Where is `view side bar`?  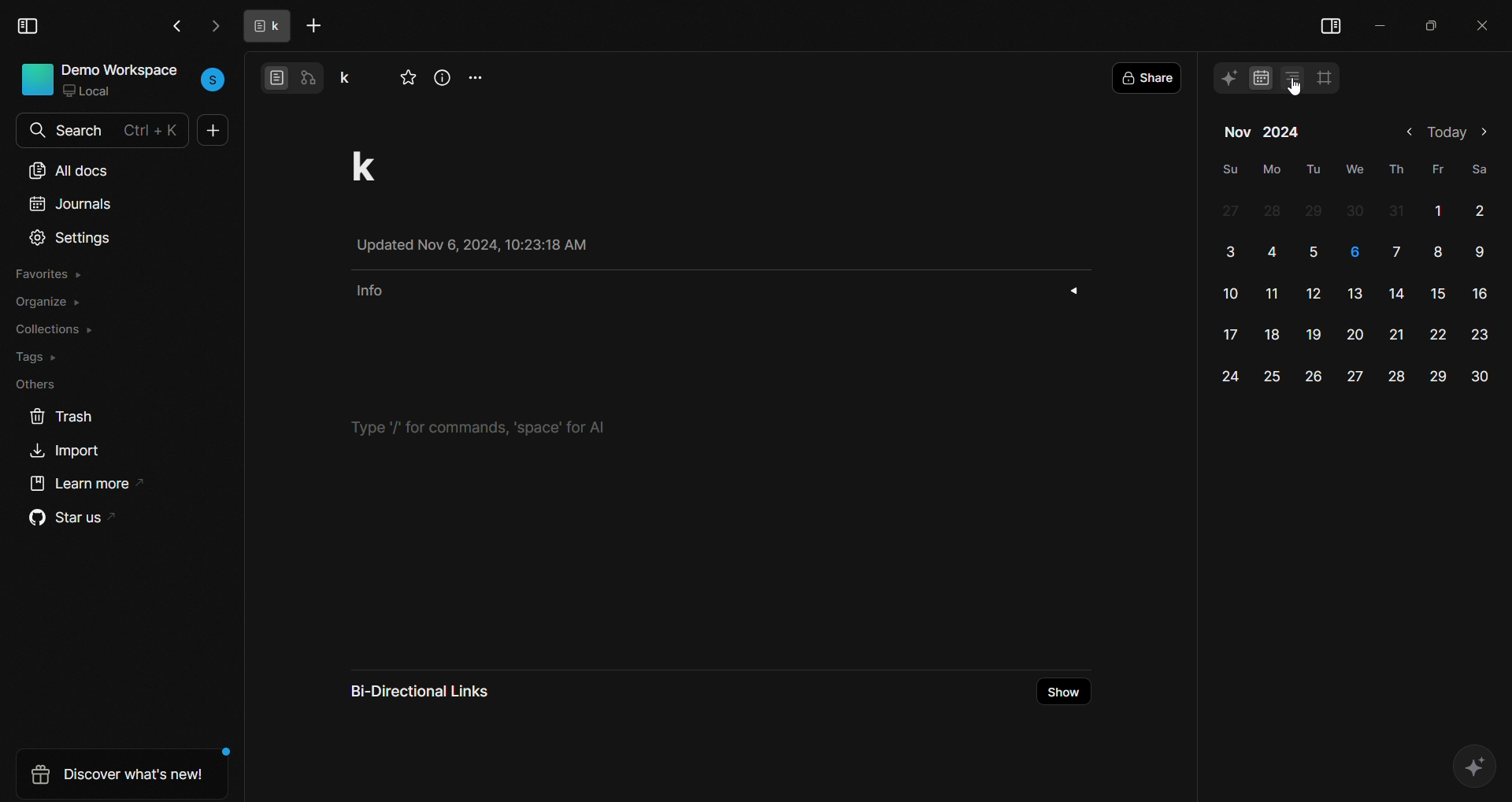 view side bar is located at coordinates (1331, 22).